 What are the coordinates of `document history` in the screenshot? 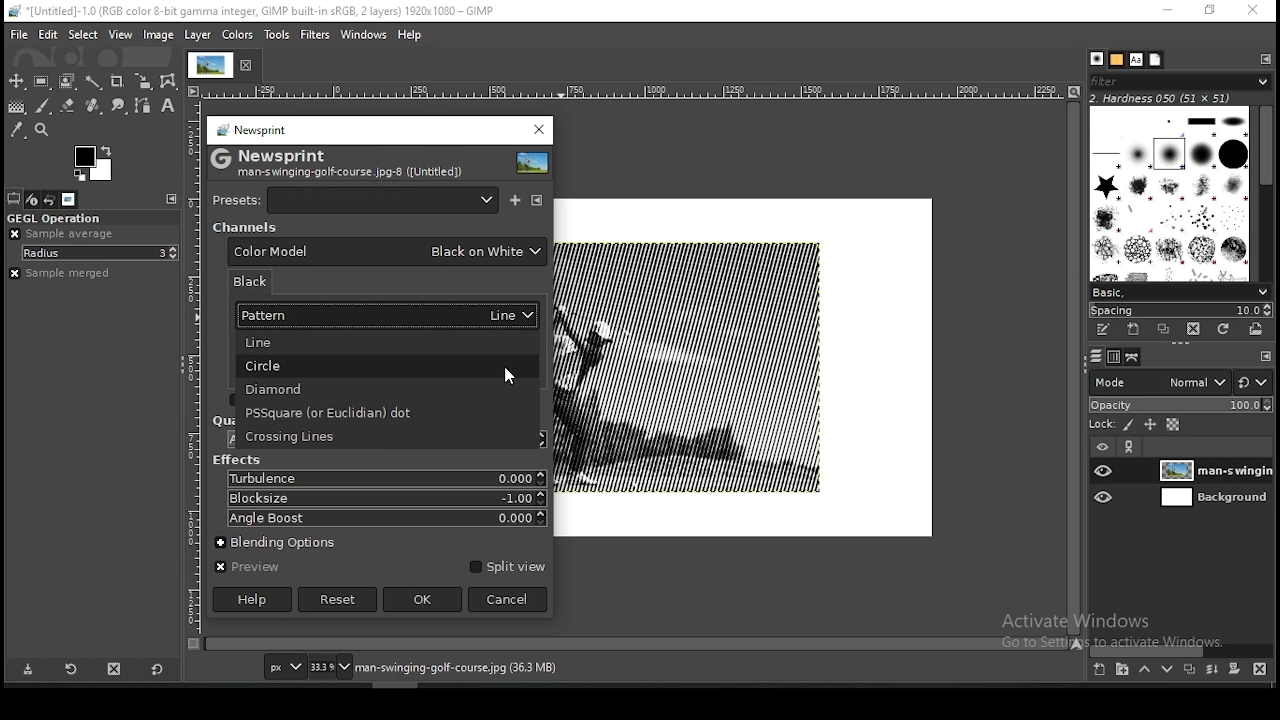 It's located at (1155, 60).